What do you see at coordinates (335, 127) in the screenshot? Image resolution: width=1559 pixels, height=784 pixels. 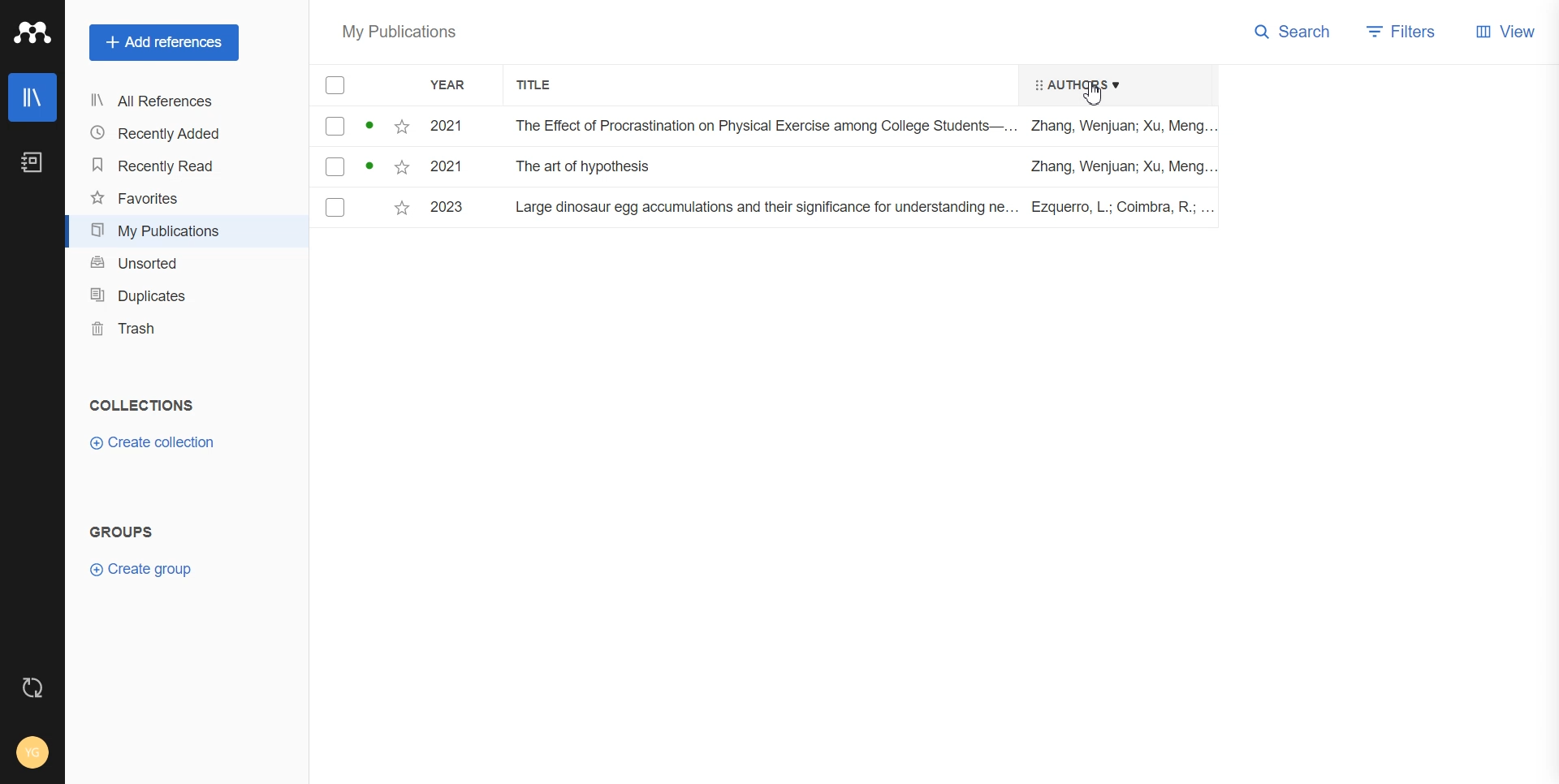 I see `Checkmark` at bounding box center [335, 127].